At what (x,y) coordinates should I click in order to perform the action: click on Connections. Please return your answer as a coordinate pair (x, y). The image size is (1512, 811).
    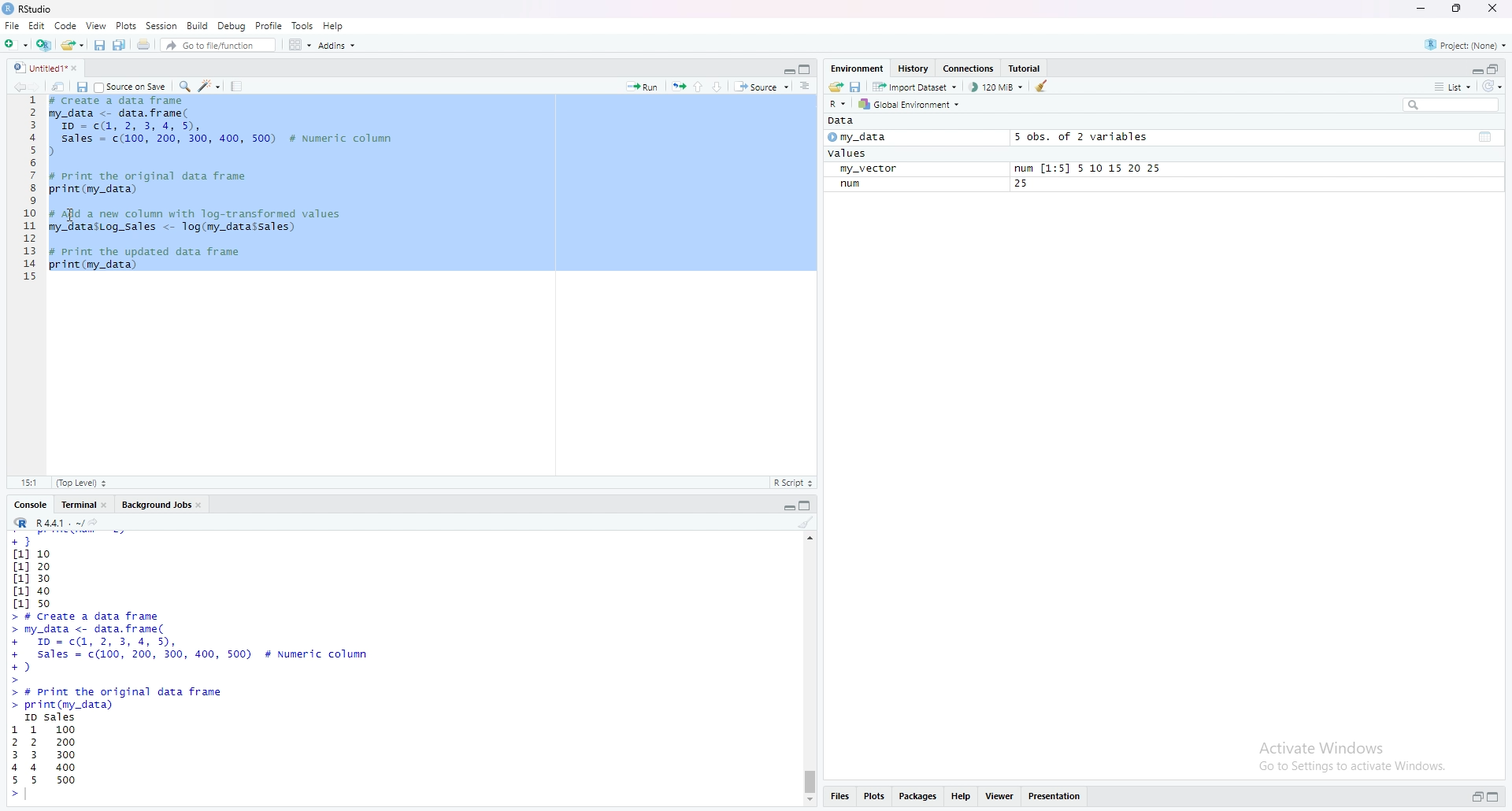
    Looking at the image, I should click on (968, 68).